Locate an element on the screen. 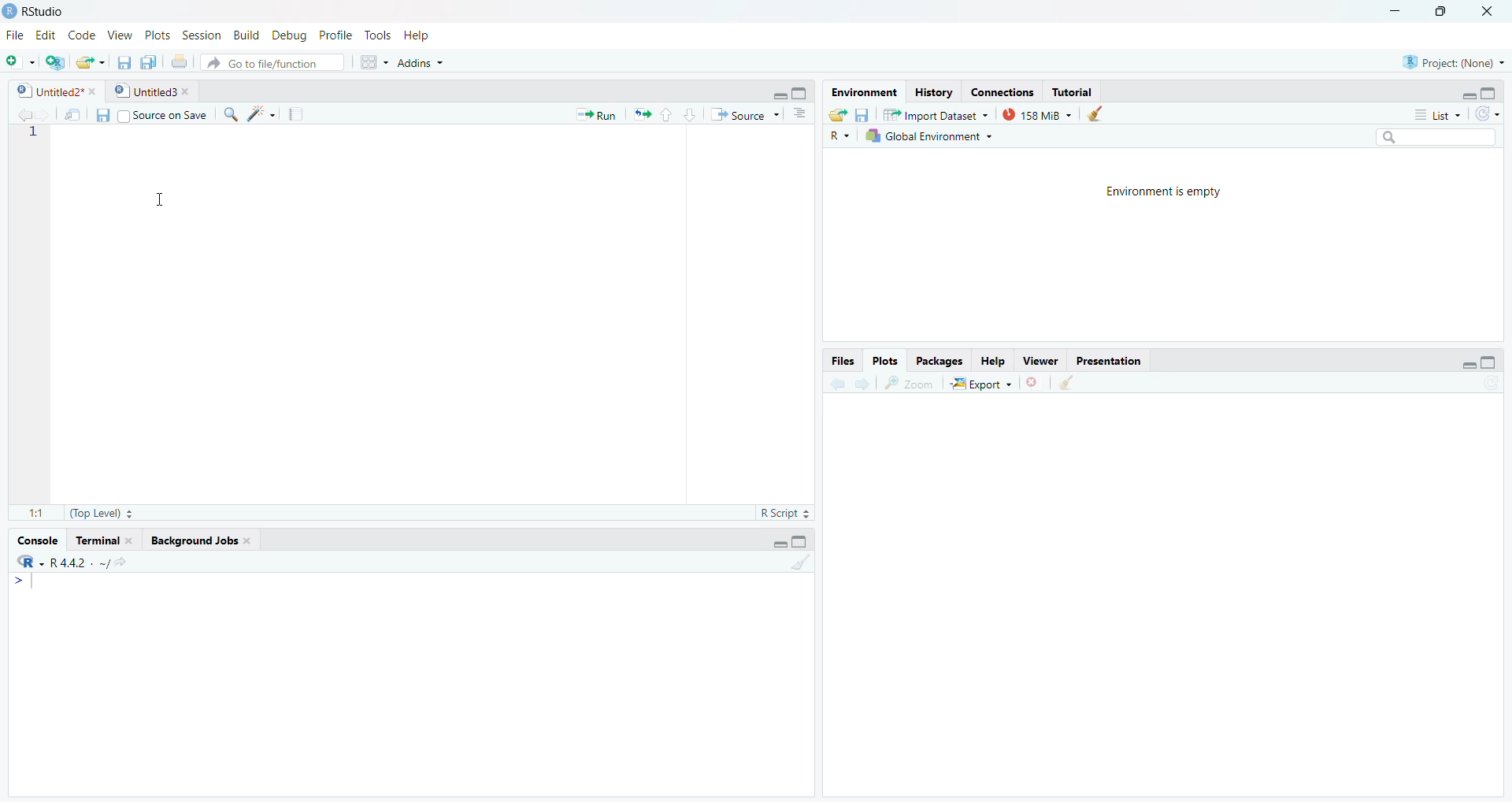 The image size is (1512, 802). R is located at coordinates (25, 562).